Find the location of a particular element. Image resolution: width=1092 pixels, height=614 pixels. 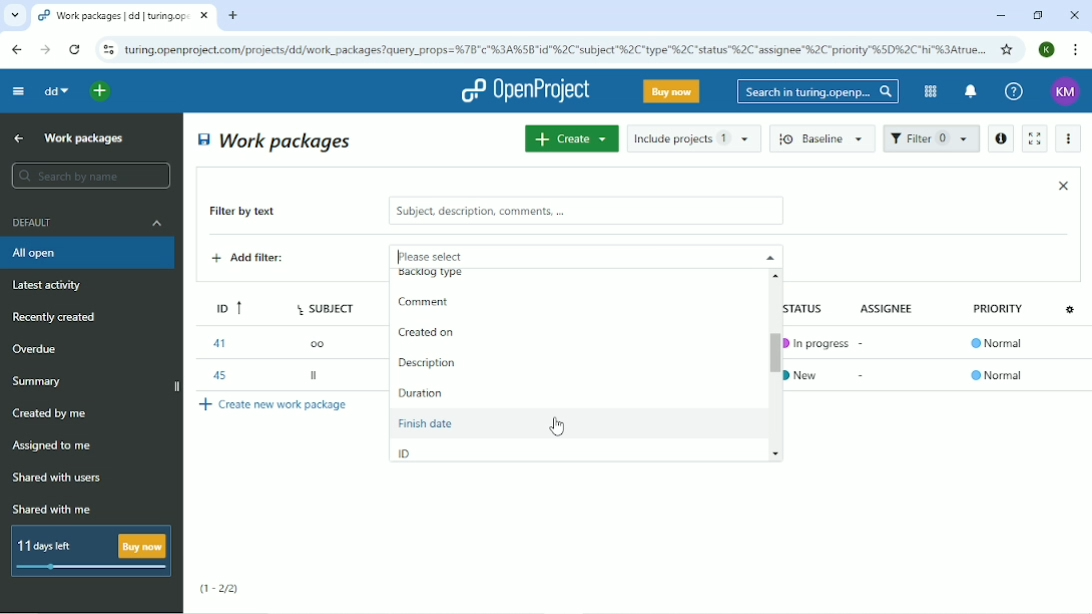

subject, description, comments is located at coordinates (585, 211).